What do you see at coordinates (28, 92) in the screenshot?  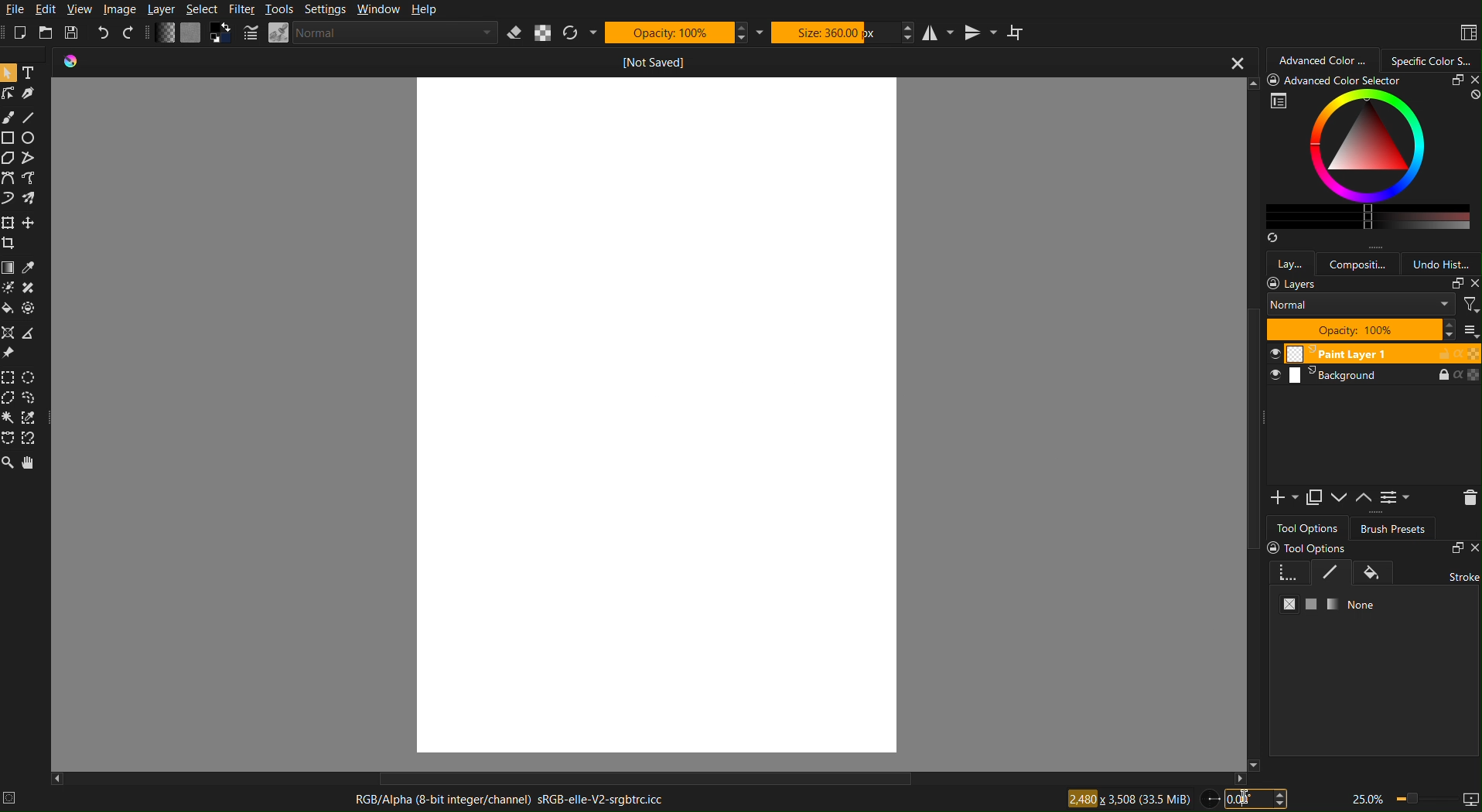 I see `Pen` at bounding box center [28, 92].